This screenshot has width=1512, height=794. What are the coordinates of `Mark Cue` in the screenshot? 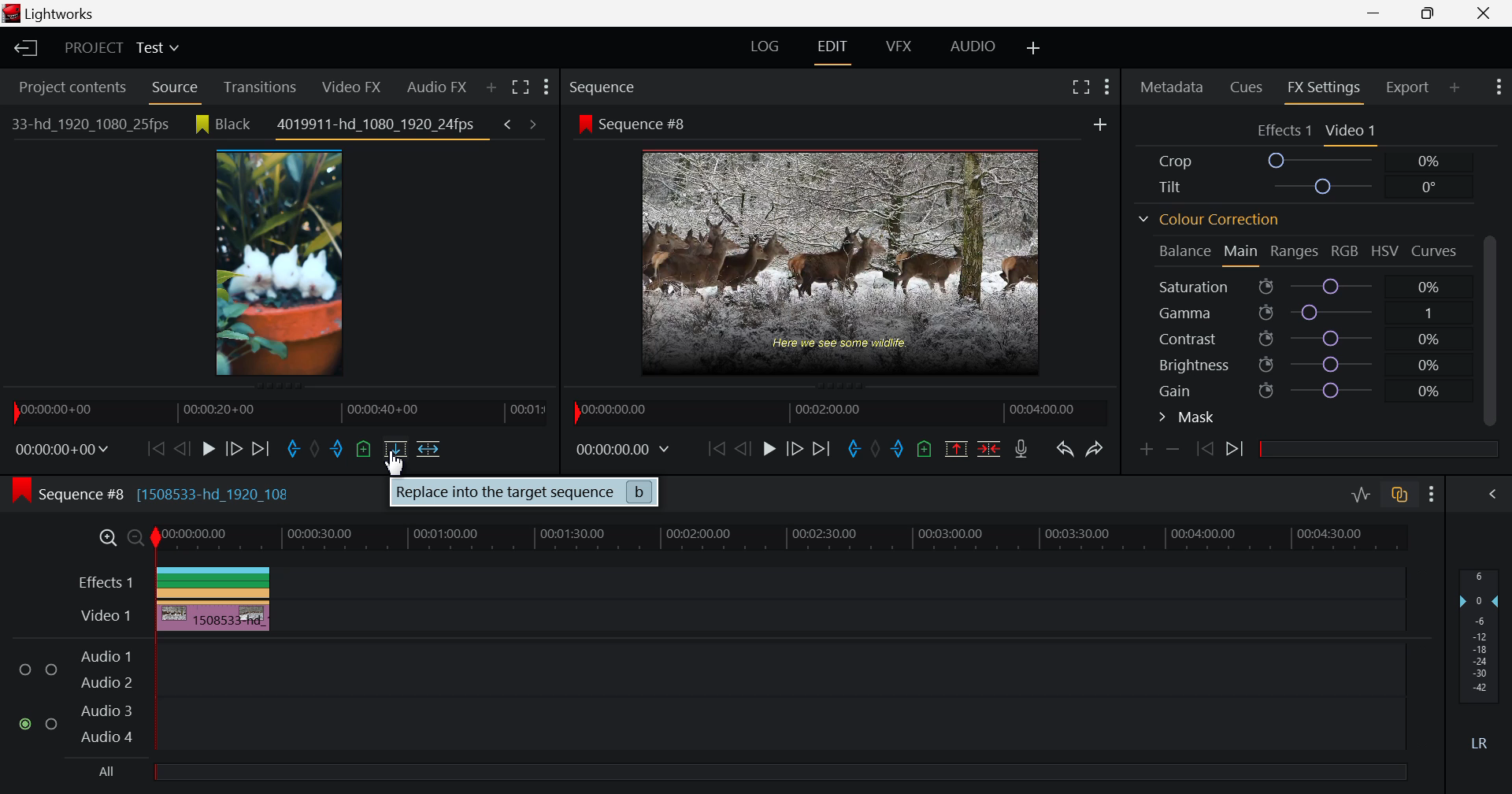 It's located at (365, 453).